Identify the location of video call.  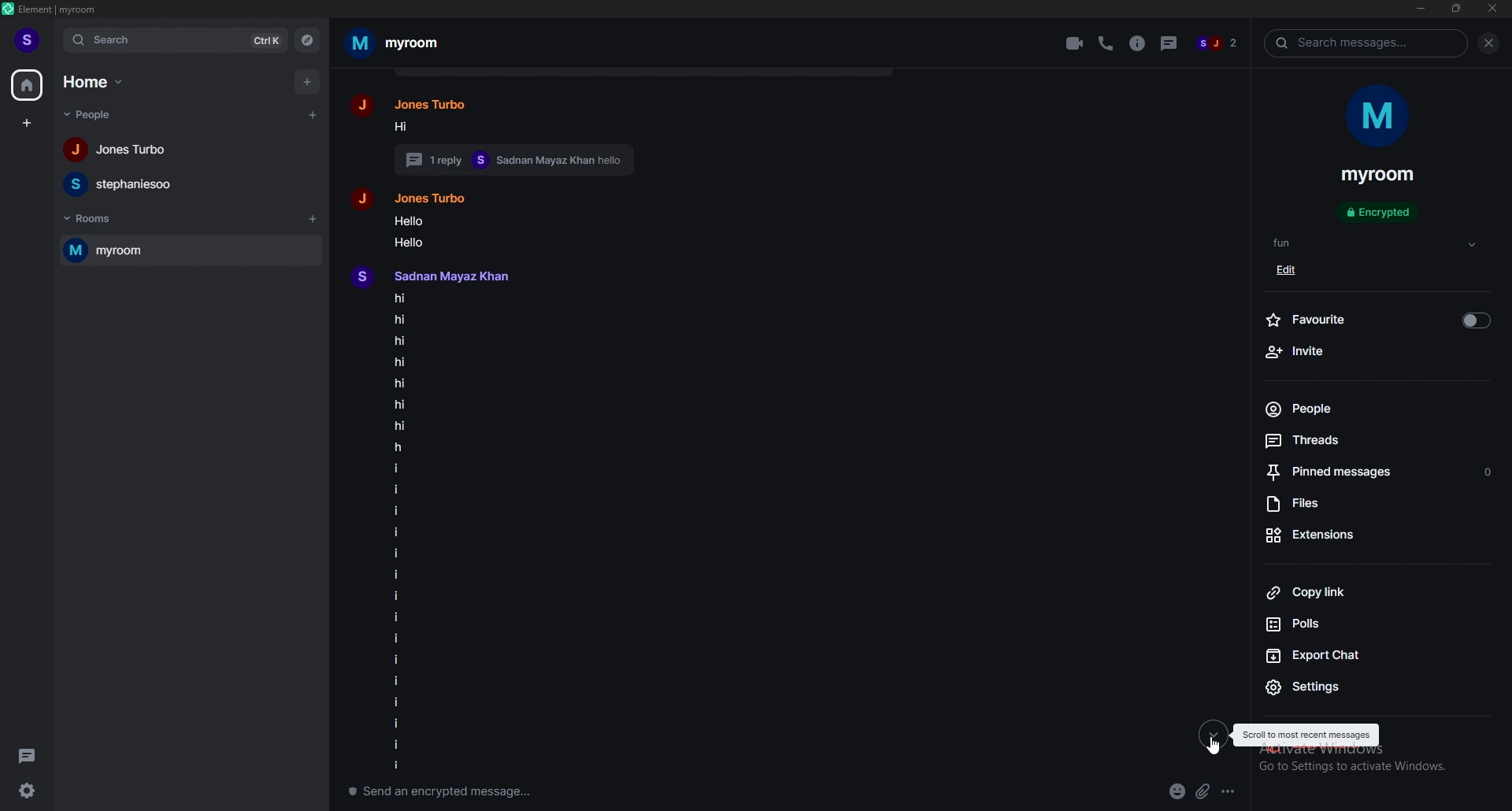
(1076, 43).